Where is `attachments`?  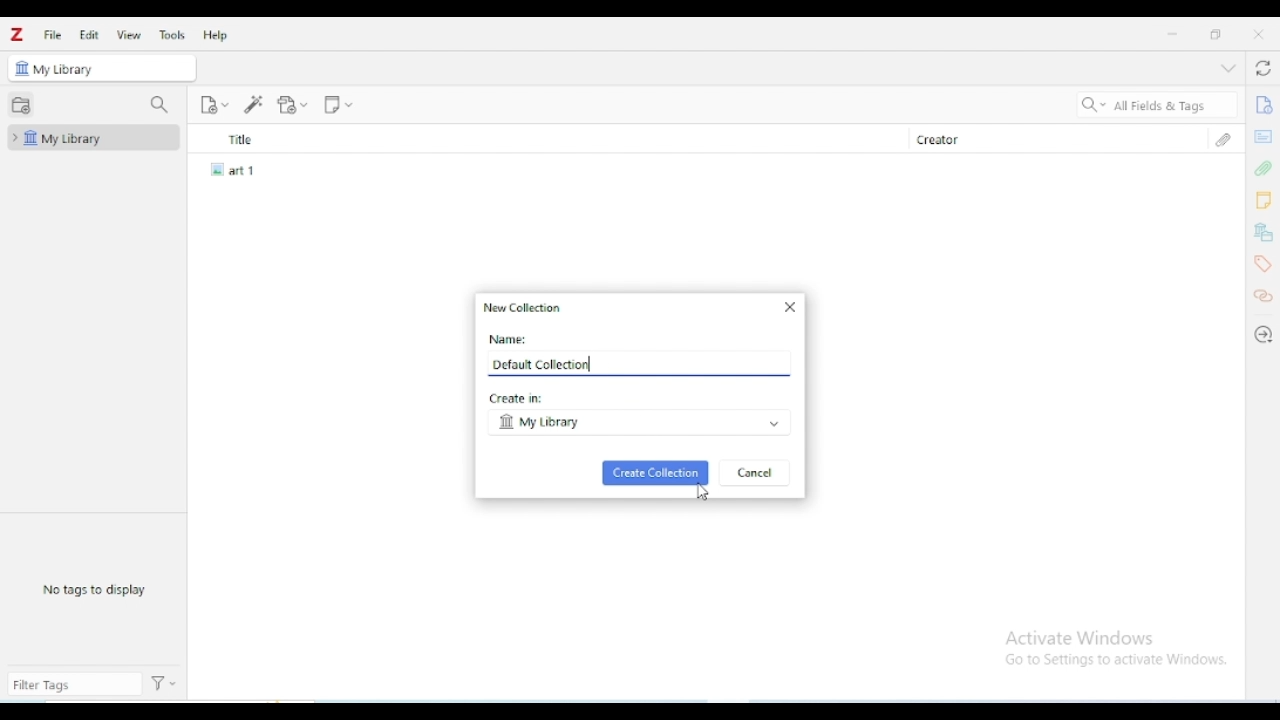
attachments is located at coordinates (1223, 139).